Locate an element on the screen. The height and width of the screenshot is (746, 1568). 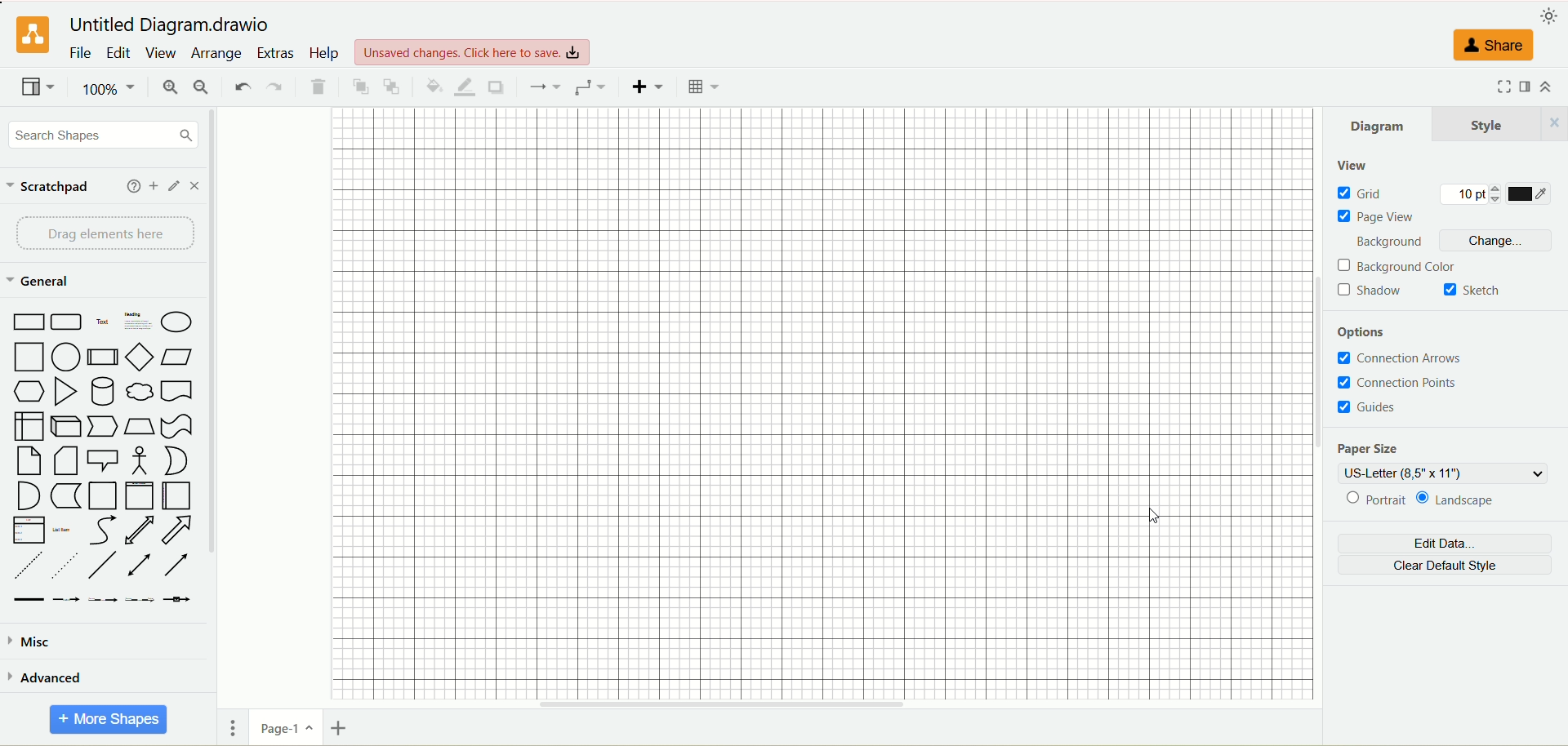
general is located at coordinates (46, 282).